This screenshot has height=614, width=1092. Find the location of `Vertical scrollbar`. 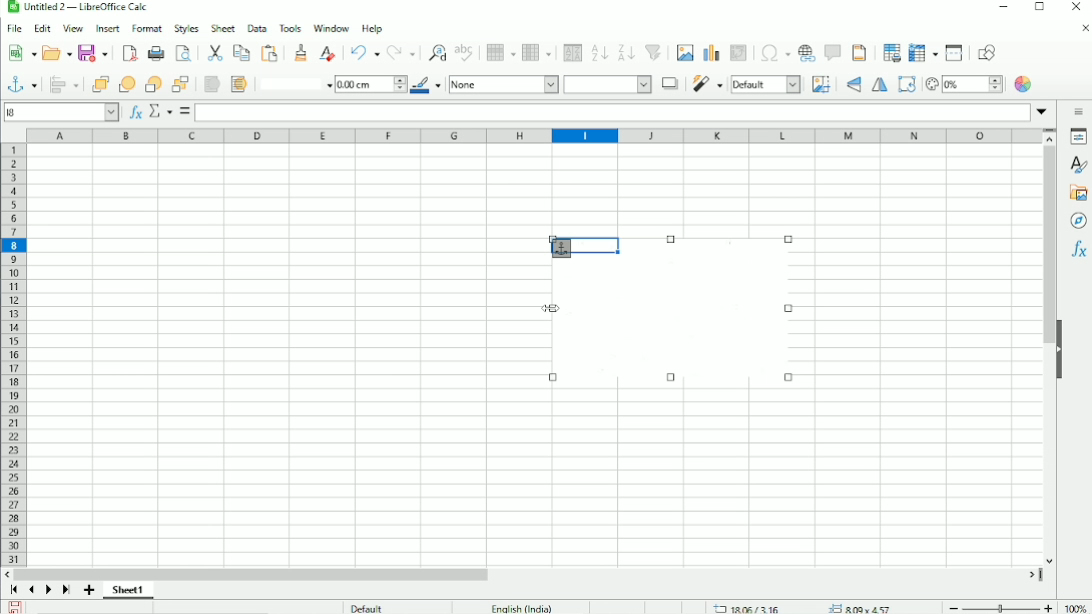

Vertical scrollbar is located at coordinates (1048, 246).